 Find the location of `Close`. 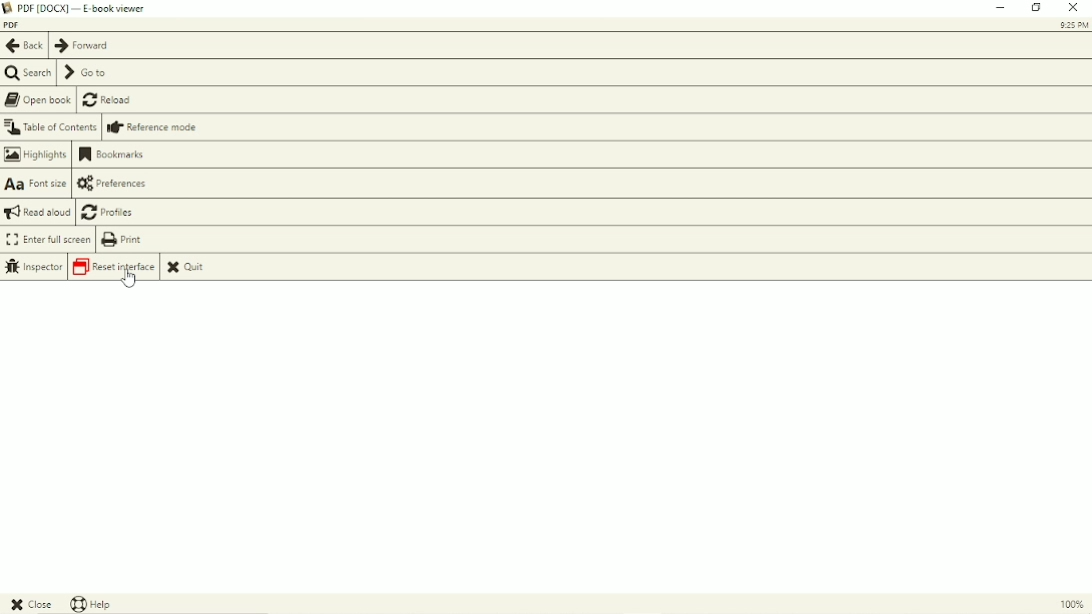

Close is located at coordinates (33, 603).